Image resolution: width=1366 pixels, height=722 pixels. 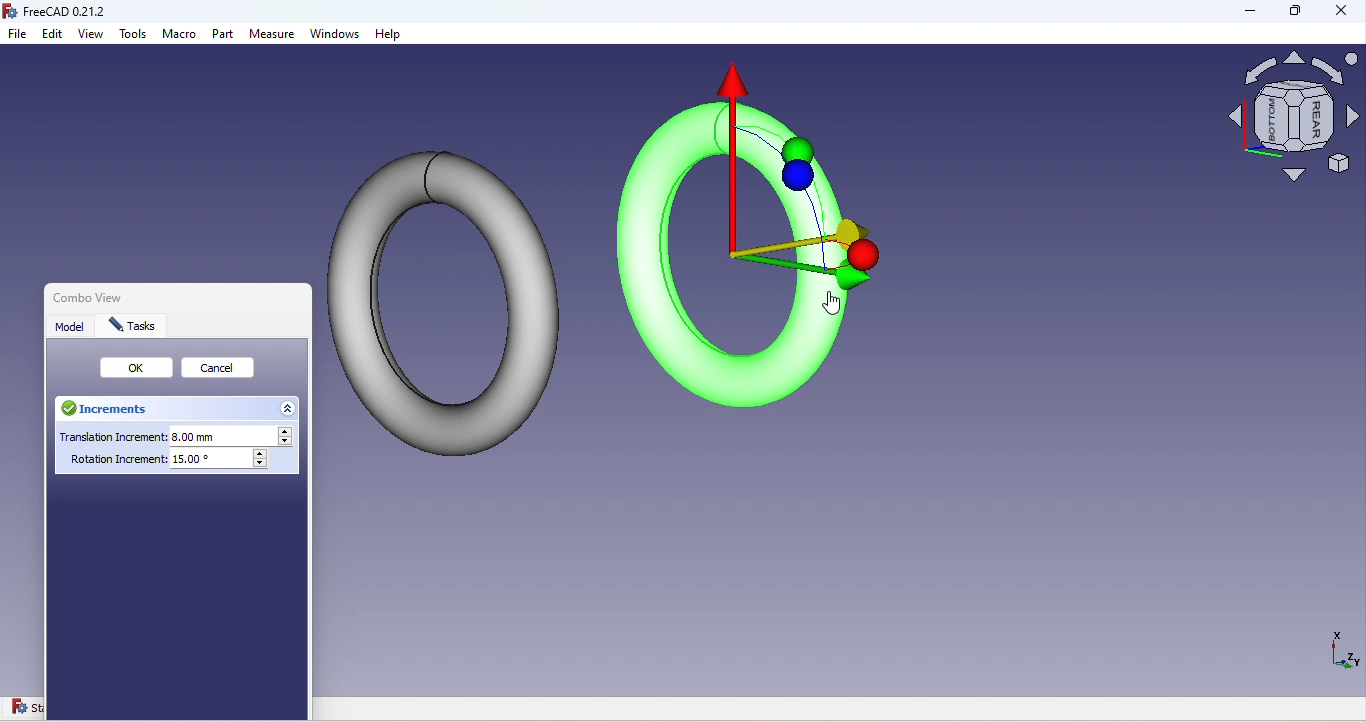 What do you see at coordinates (92, 35) in the screenshot?
I see `View` at bounding box center [92, 35].